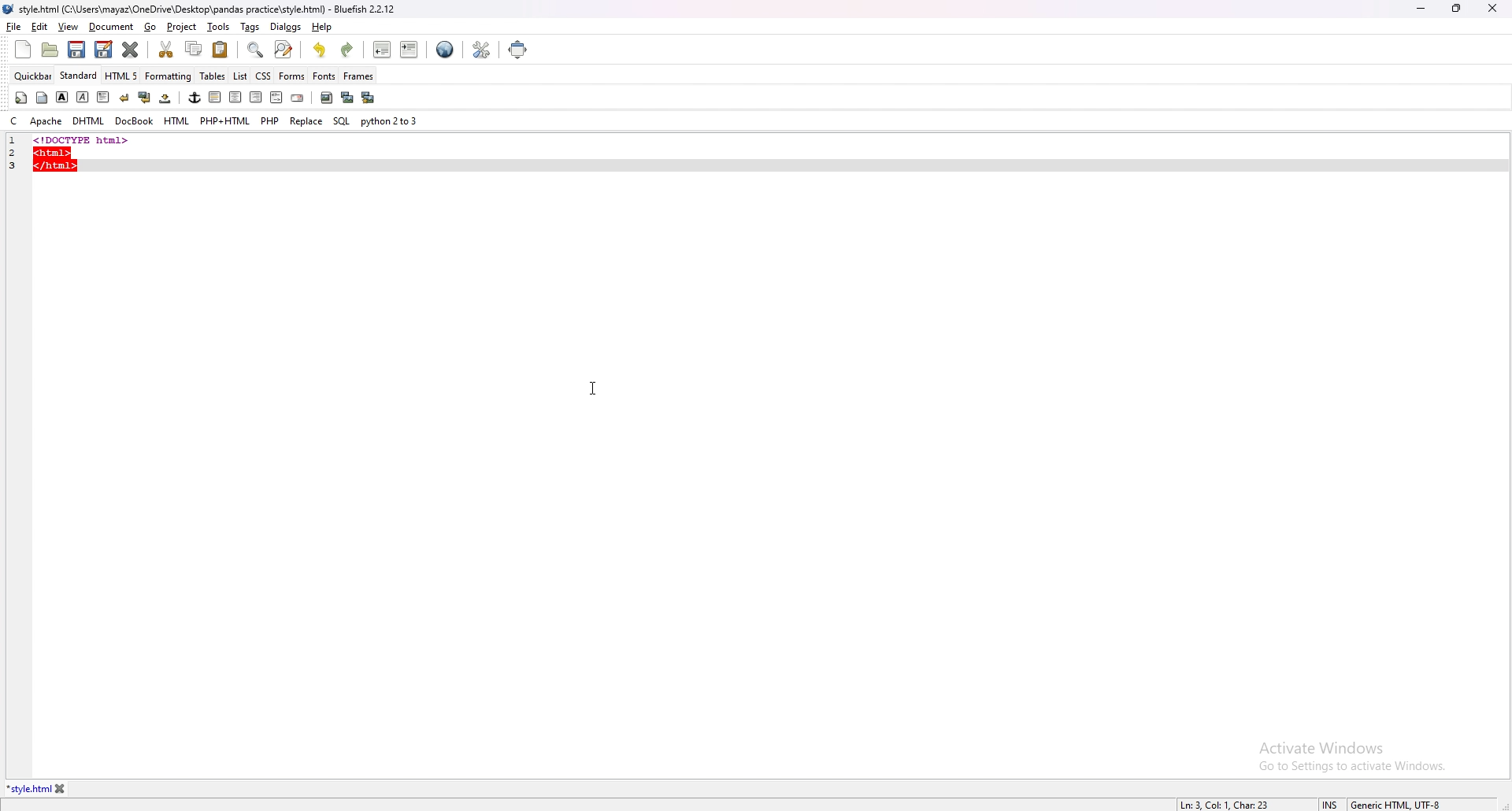 The image size is (1512, 811). I want to click on save as, so click(103, 50).